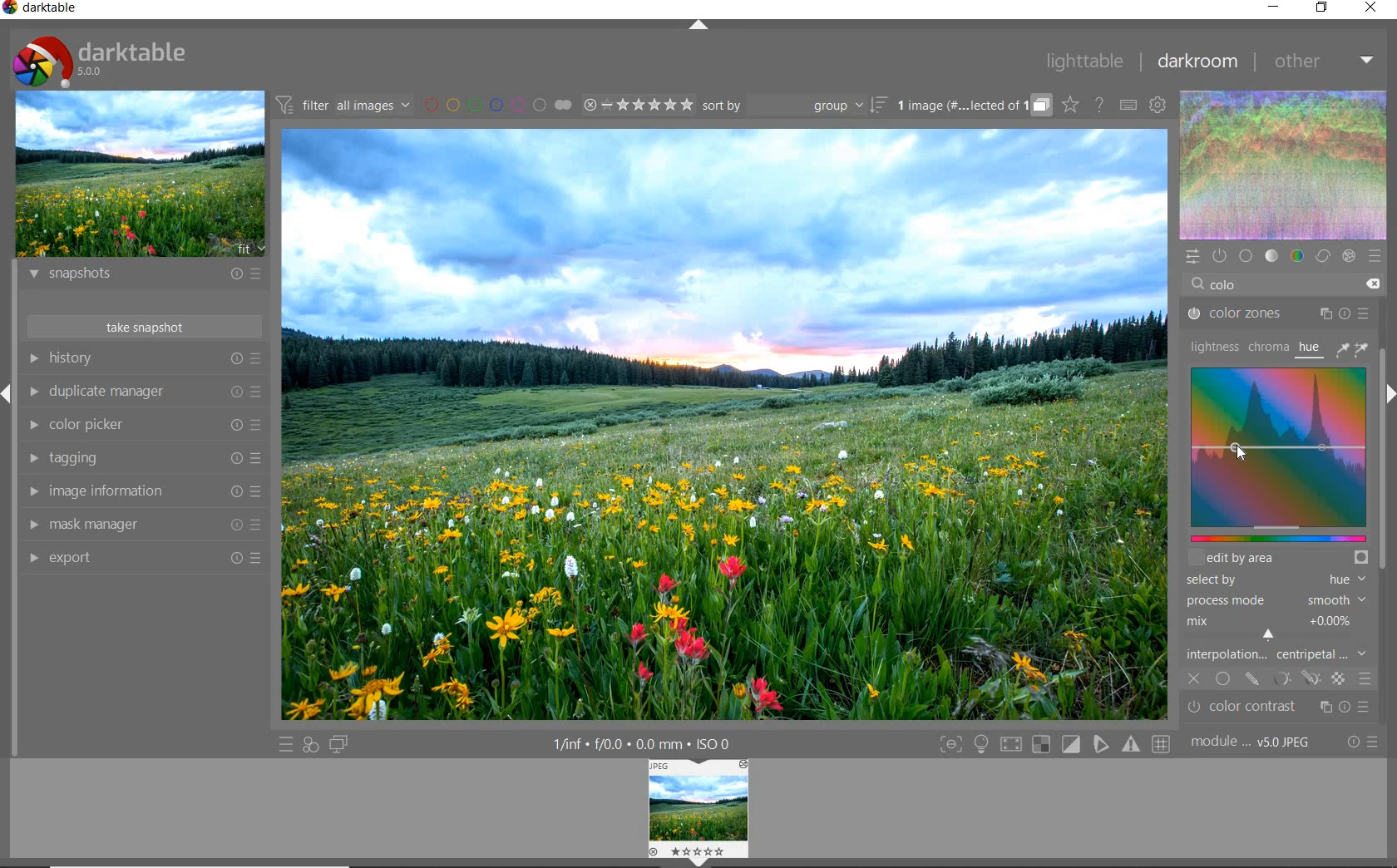  Describe the element at coordinates (142, 326) in the screenshot. I see `take snapshots` at that location.